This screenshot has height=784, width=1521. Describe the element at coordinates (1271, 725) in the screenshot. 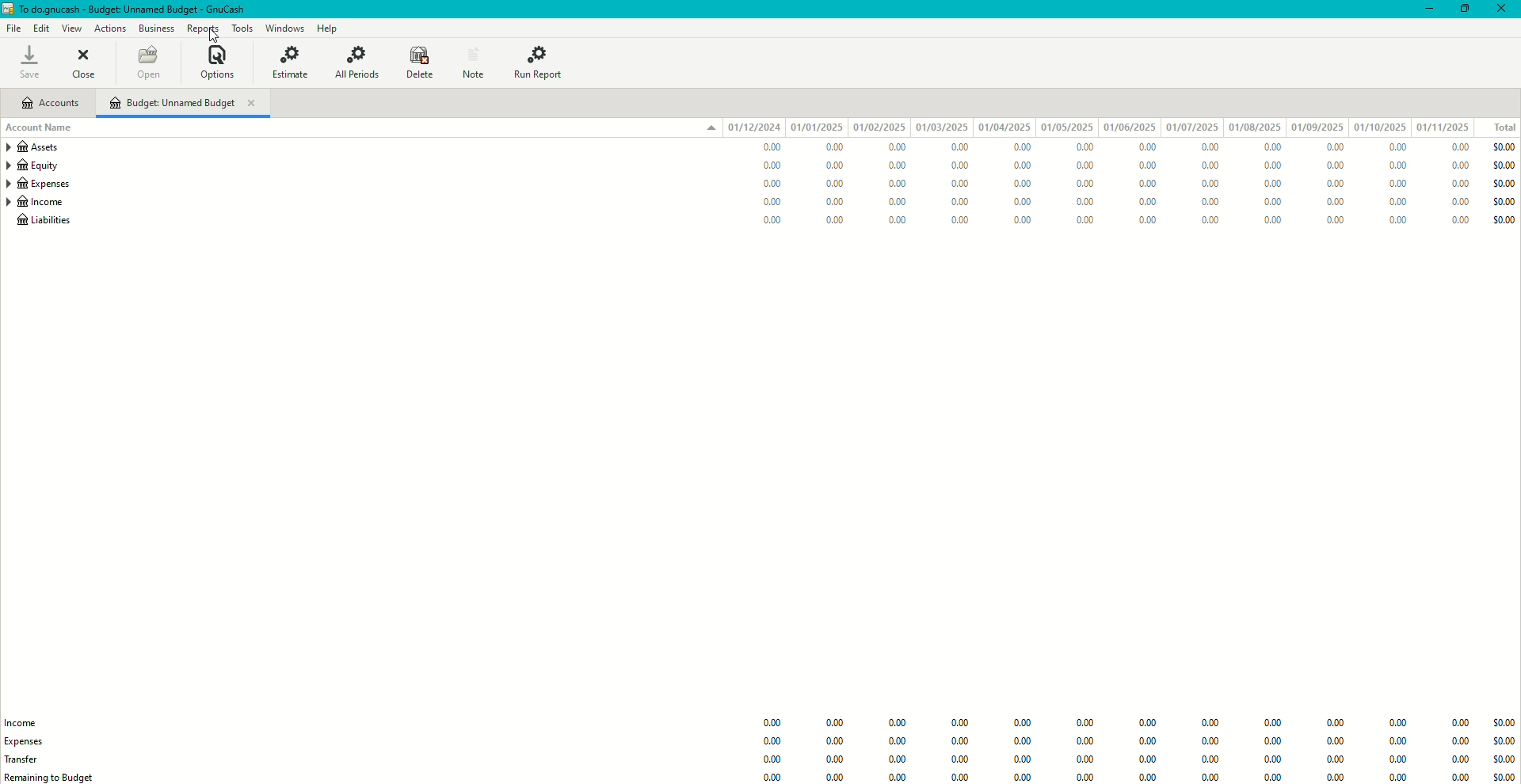

I see `0.00` at that location.